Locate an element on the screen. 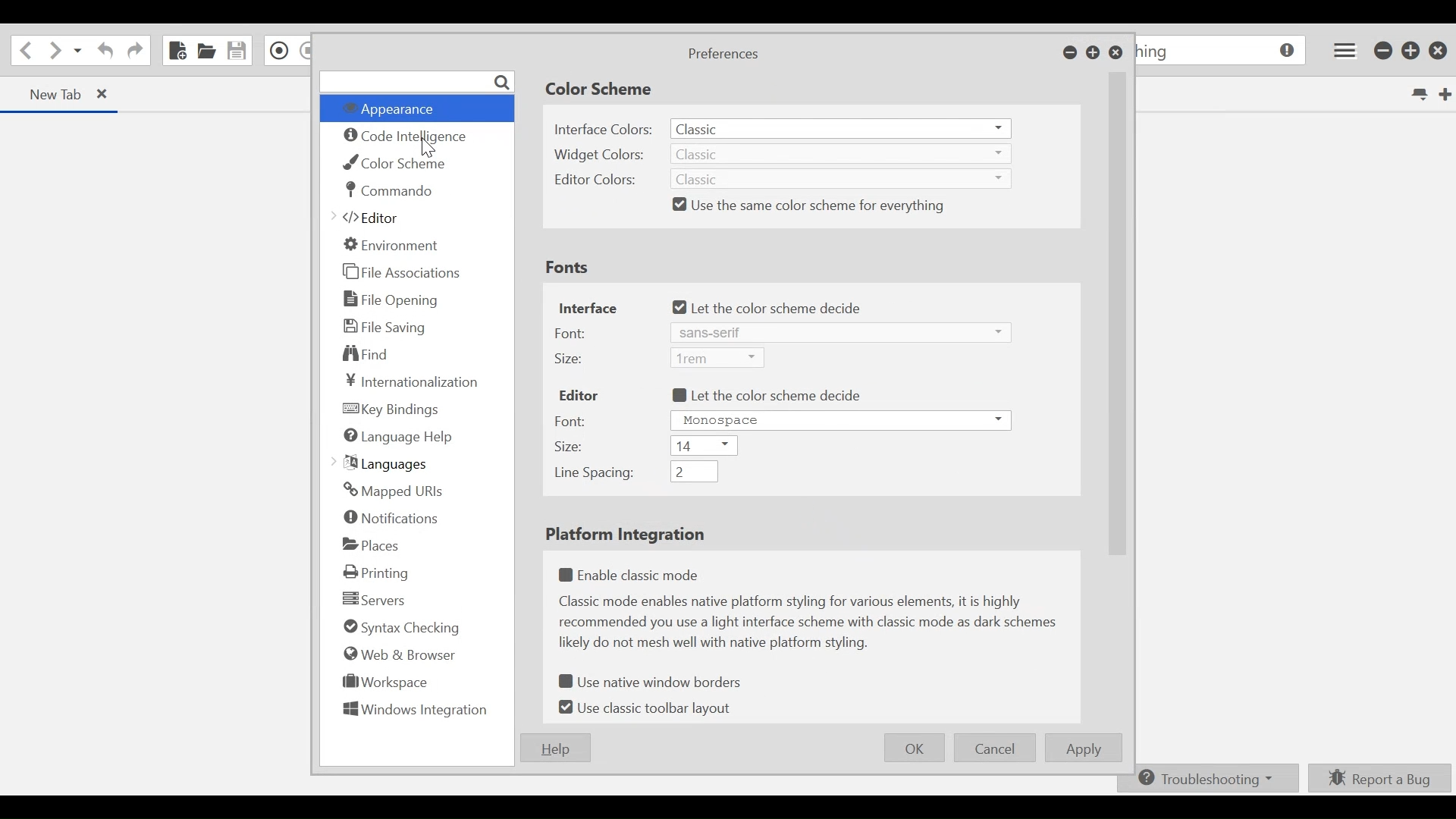  Close is located at coordinates (1116, 54).